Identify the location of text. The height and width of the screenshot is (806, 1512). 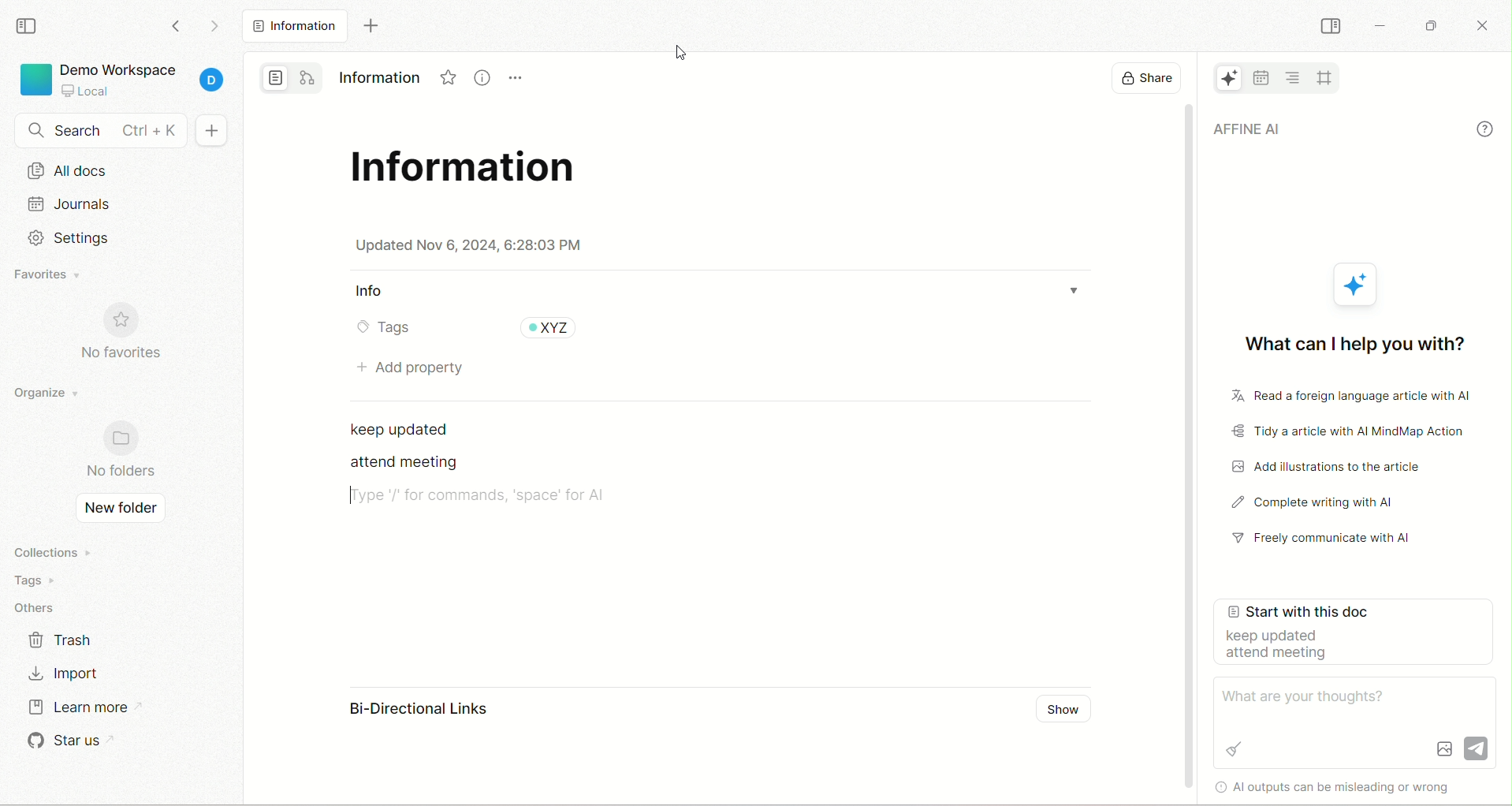
(408, 428).